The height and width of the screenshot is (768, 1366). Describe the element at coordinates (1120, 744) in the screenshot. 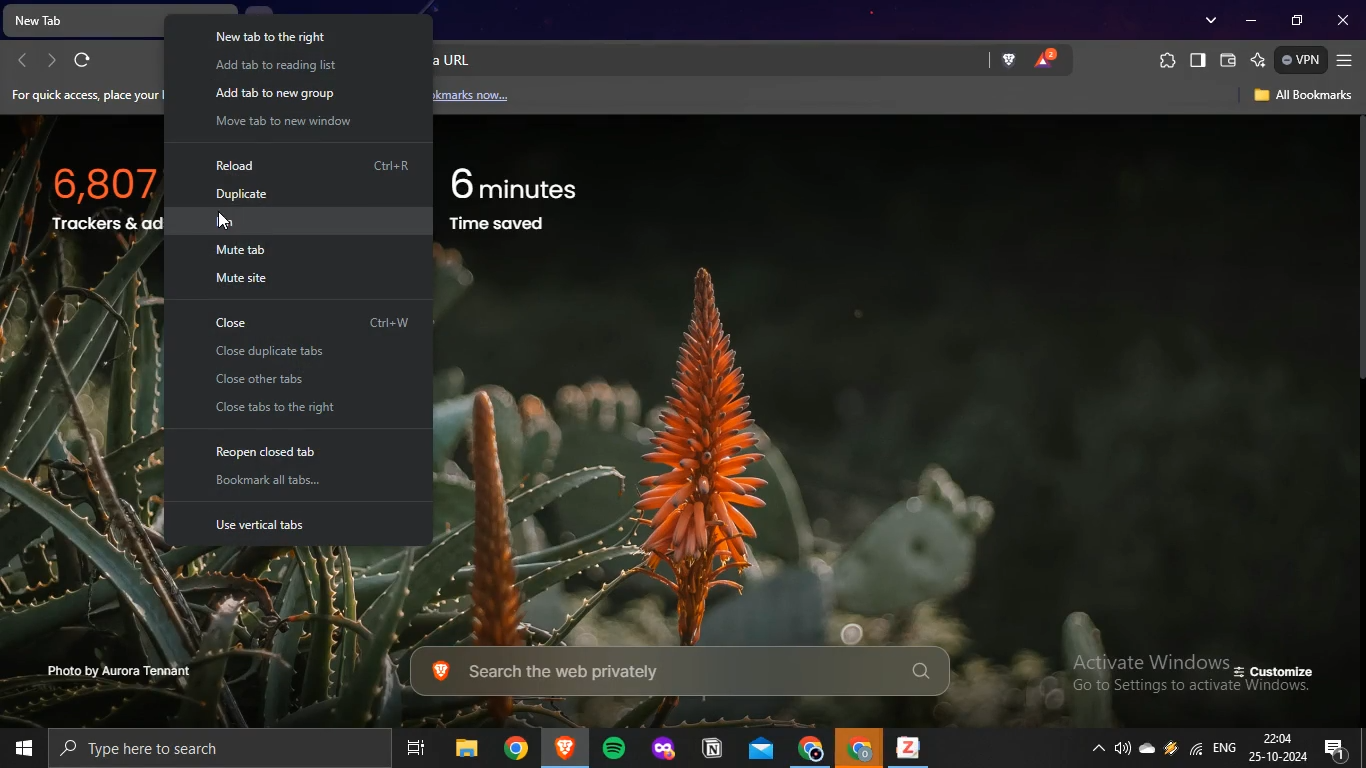

I see `volume` at that location.